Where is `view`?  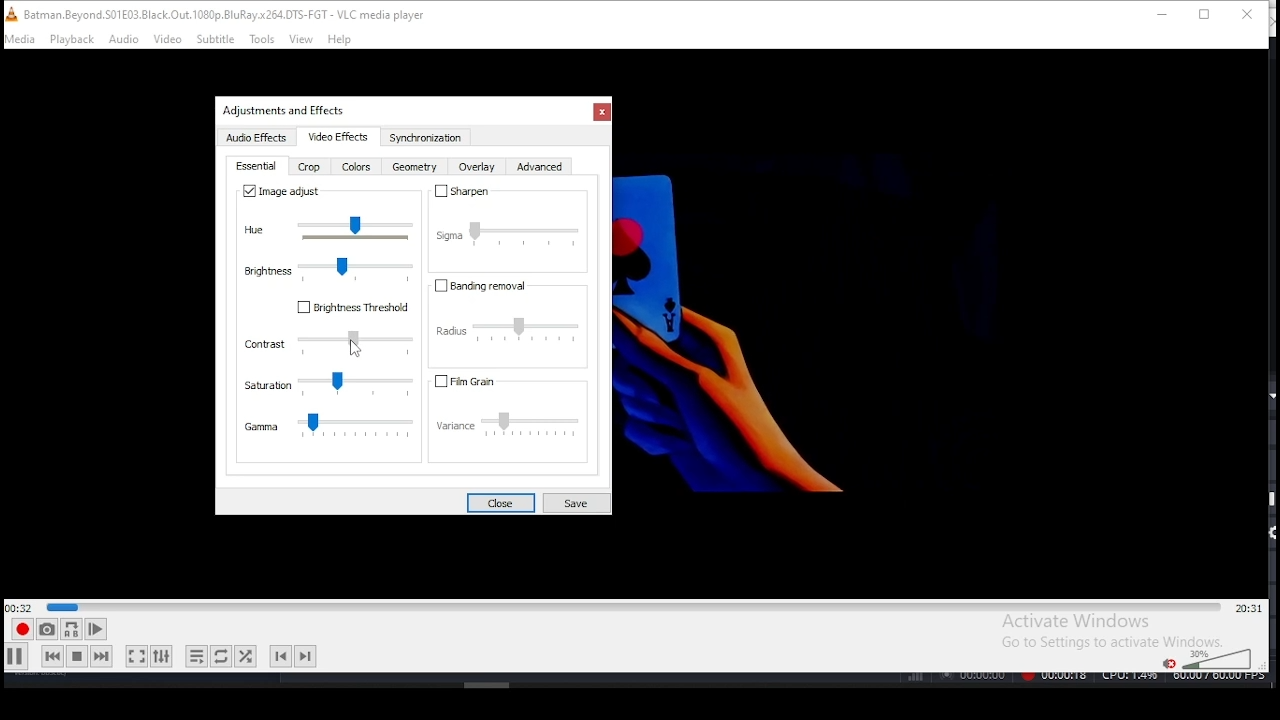
view is located at coordinates (302, 39).